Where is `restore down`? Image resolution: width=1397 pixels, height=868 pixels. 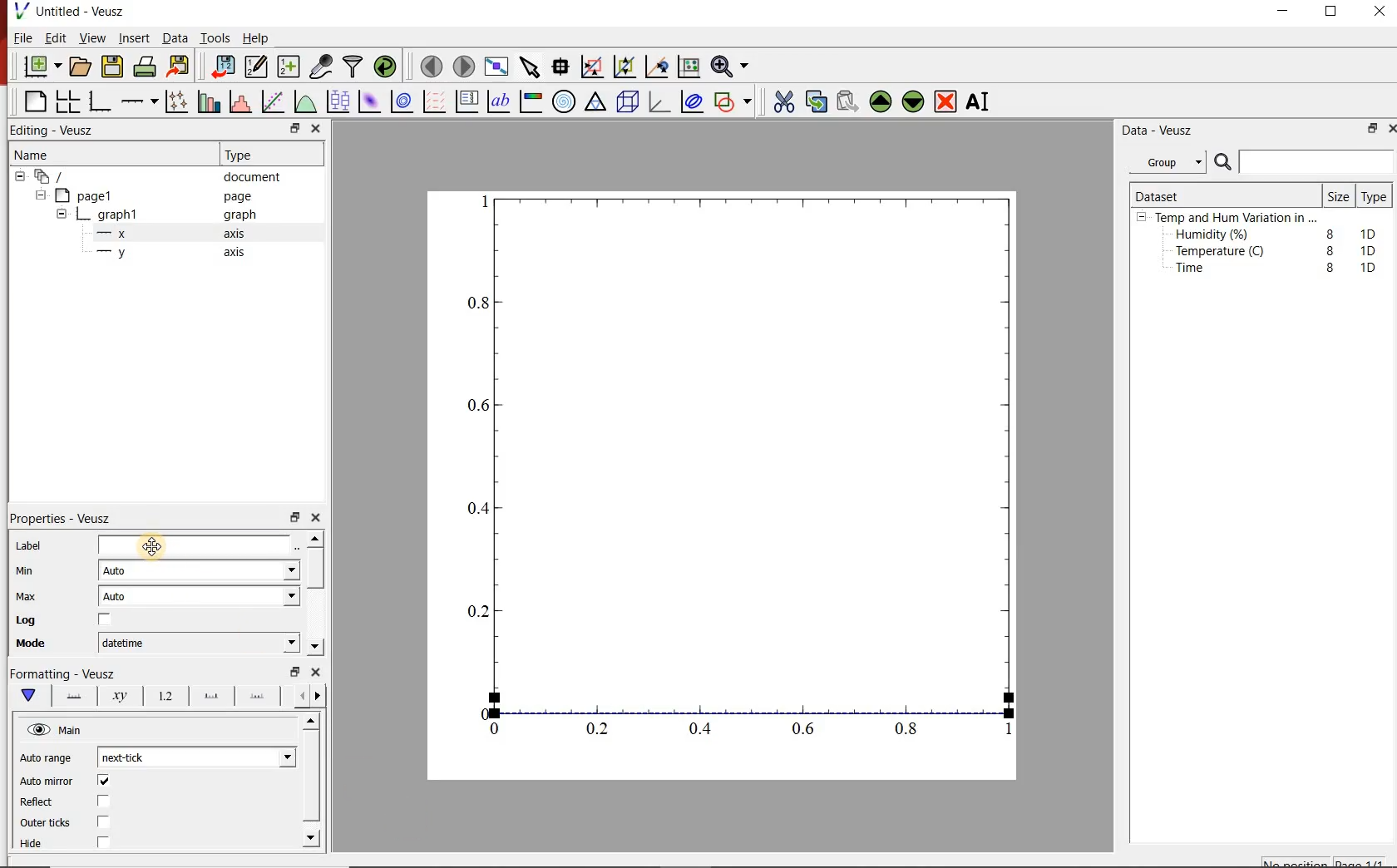 restore down is located at coordinates (1369, 131).